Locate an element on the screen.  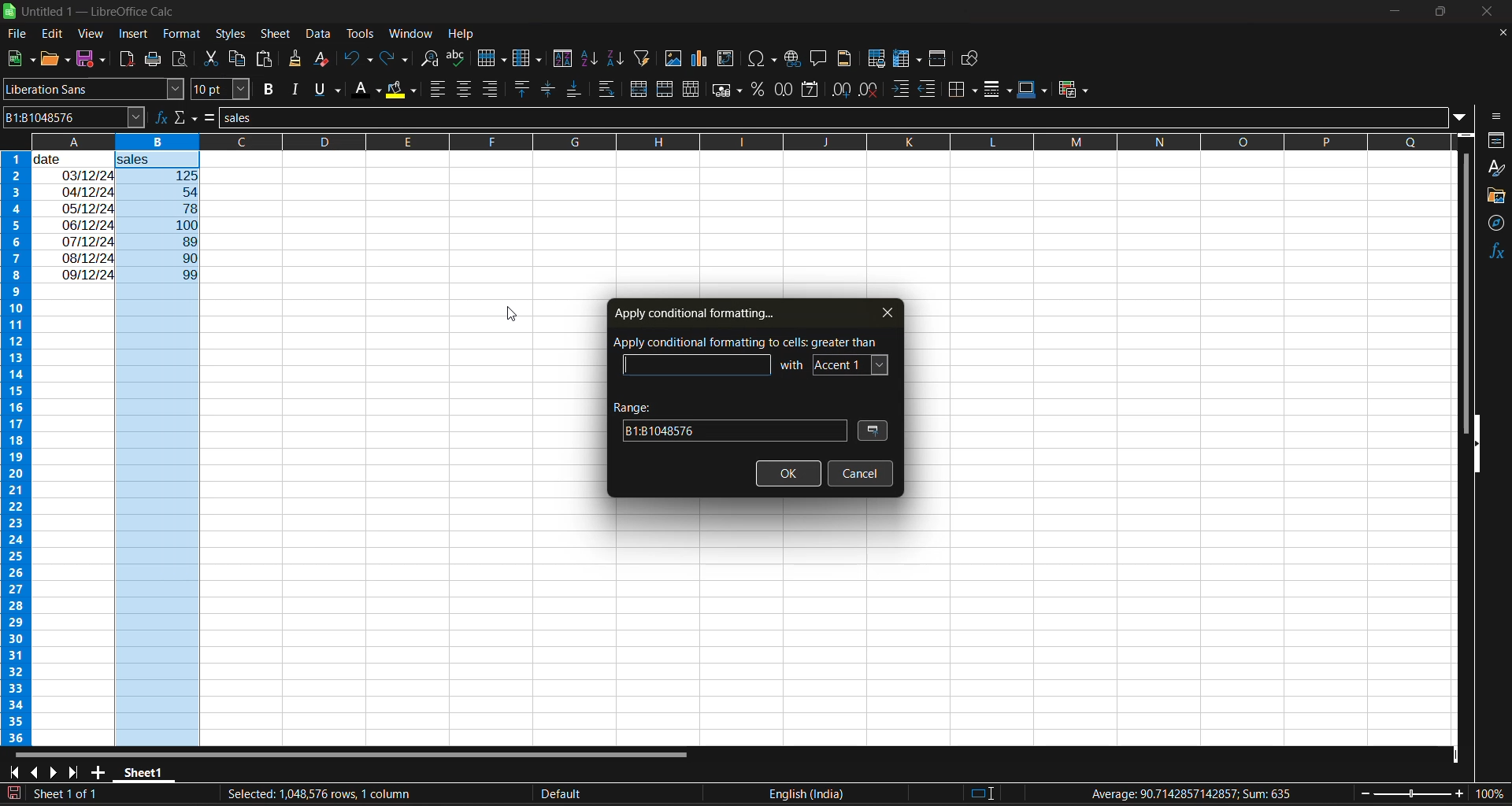
merge and center is located at coordinates (641, 89).